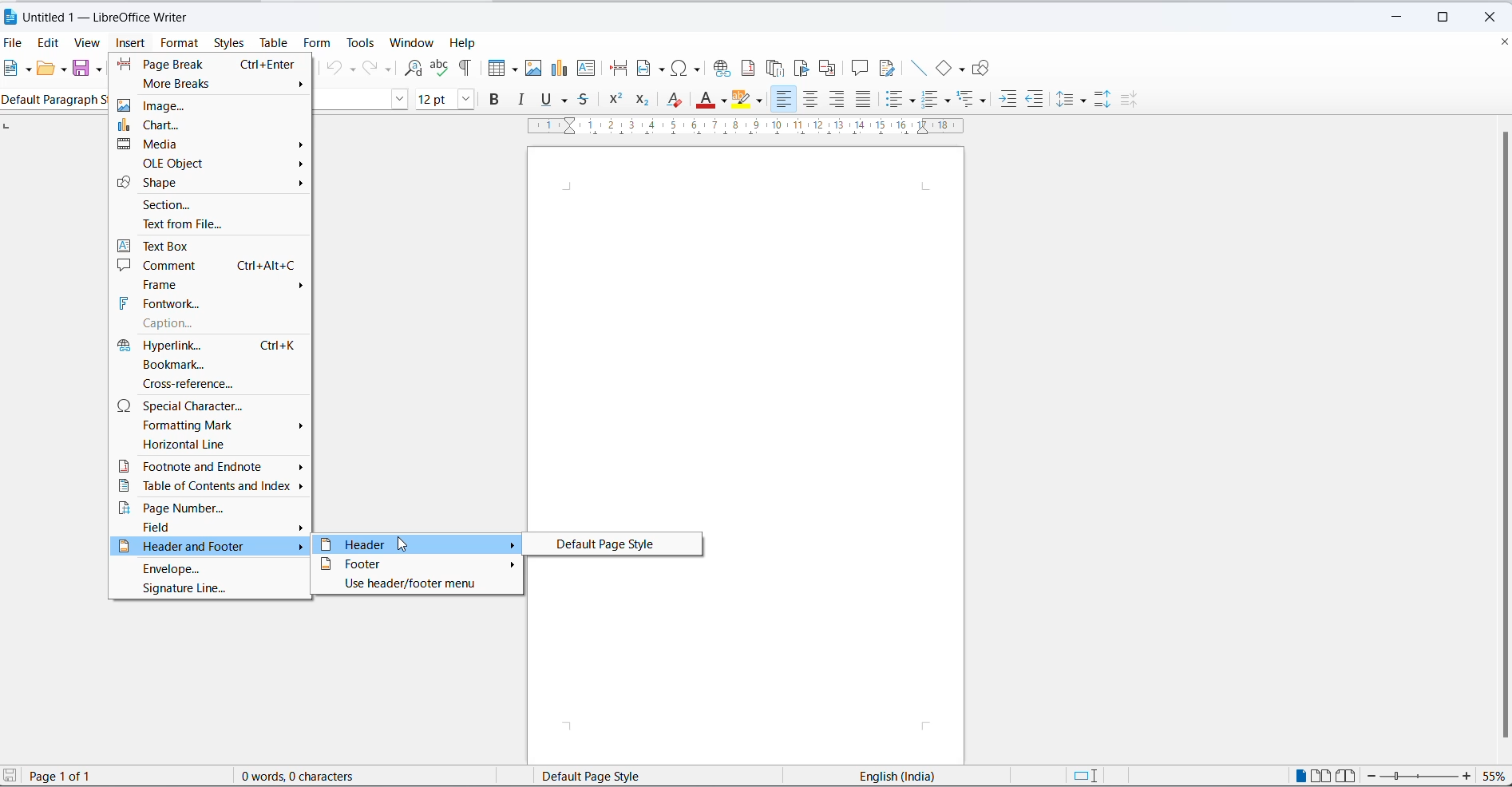  Describe the element at coordinates (1498, 436) in the screenshot. I see `scroll bar` at that location.